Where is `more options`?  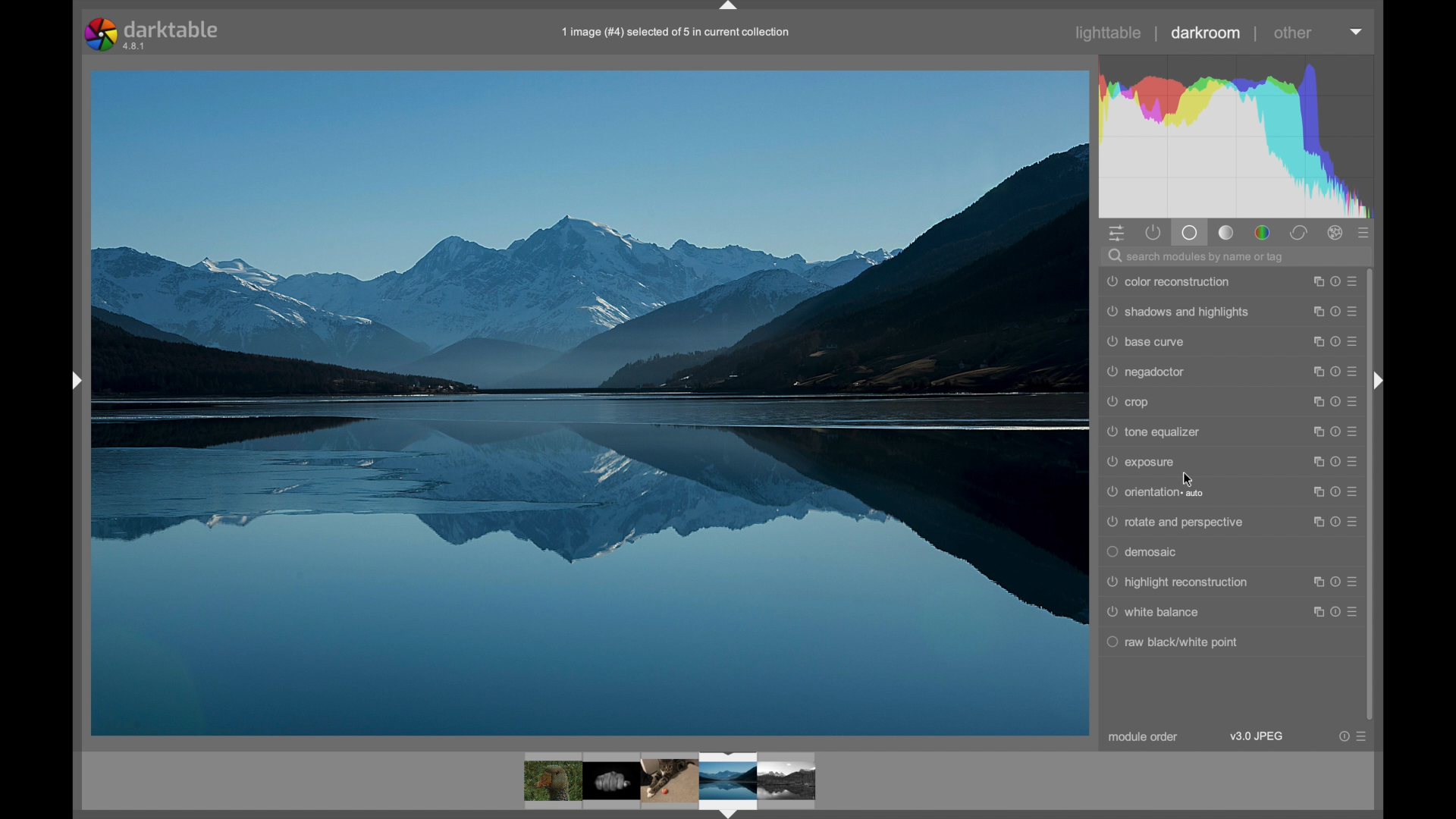 more options is located at coordinates (1336, 372).